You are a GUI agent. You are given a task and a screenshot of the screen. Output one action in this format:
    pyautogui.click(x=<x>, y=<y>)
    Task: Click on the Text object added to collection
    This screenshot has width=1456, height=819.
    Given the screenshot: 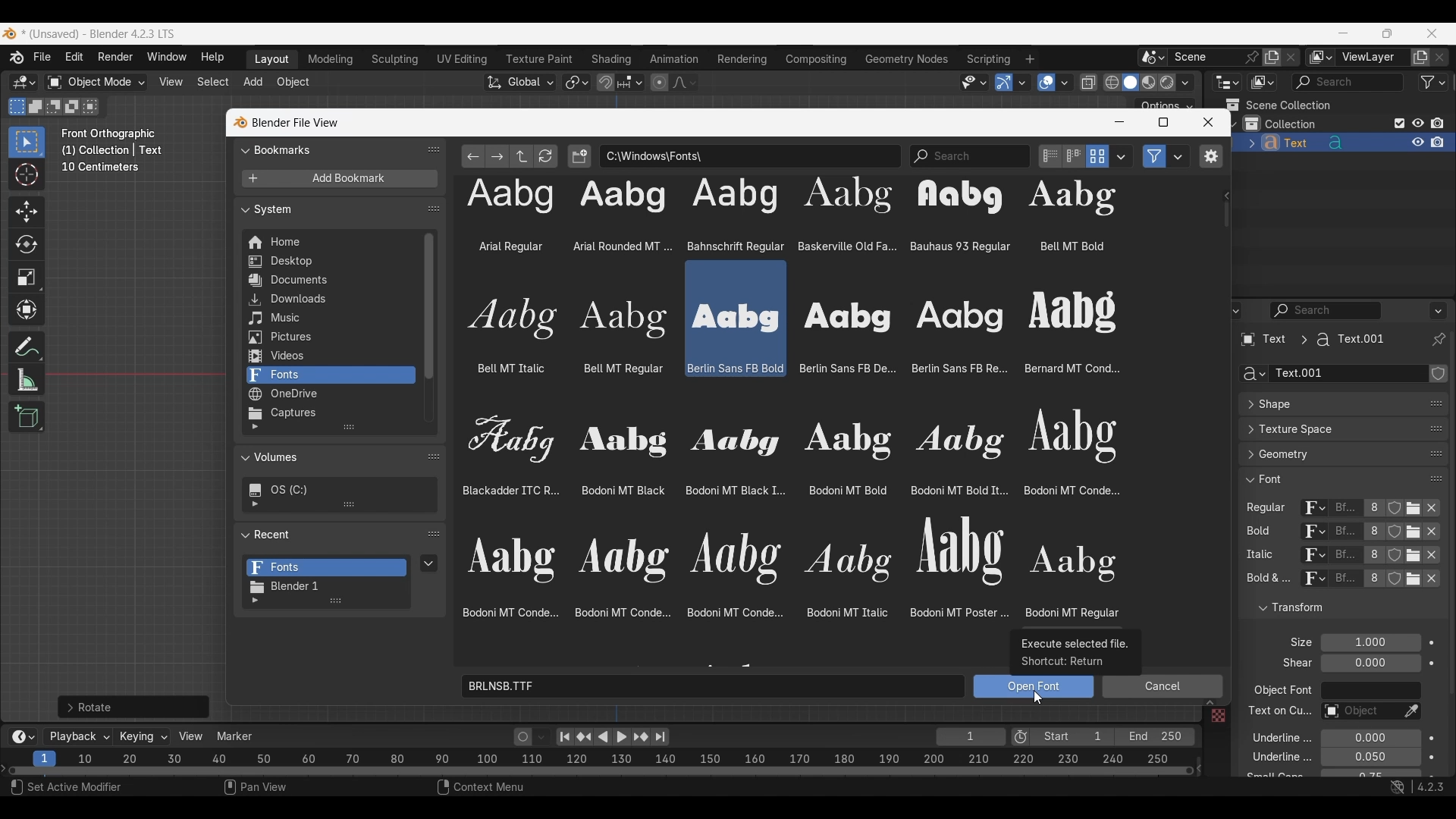 What is the action you would take?
    pyautogui.click(x=1344, y=143)
    